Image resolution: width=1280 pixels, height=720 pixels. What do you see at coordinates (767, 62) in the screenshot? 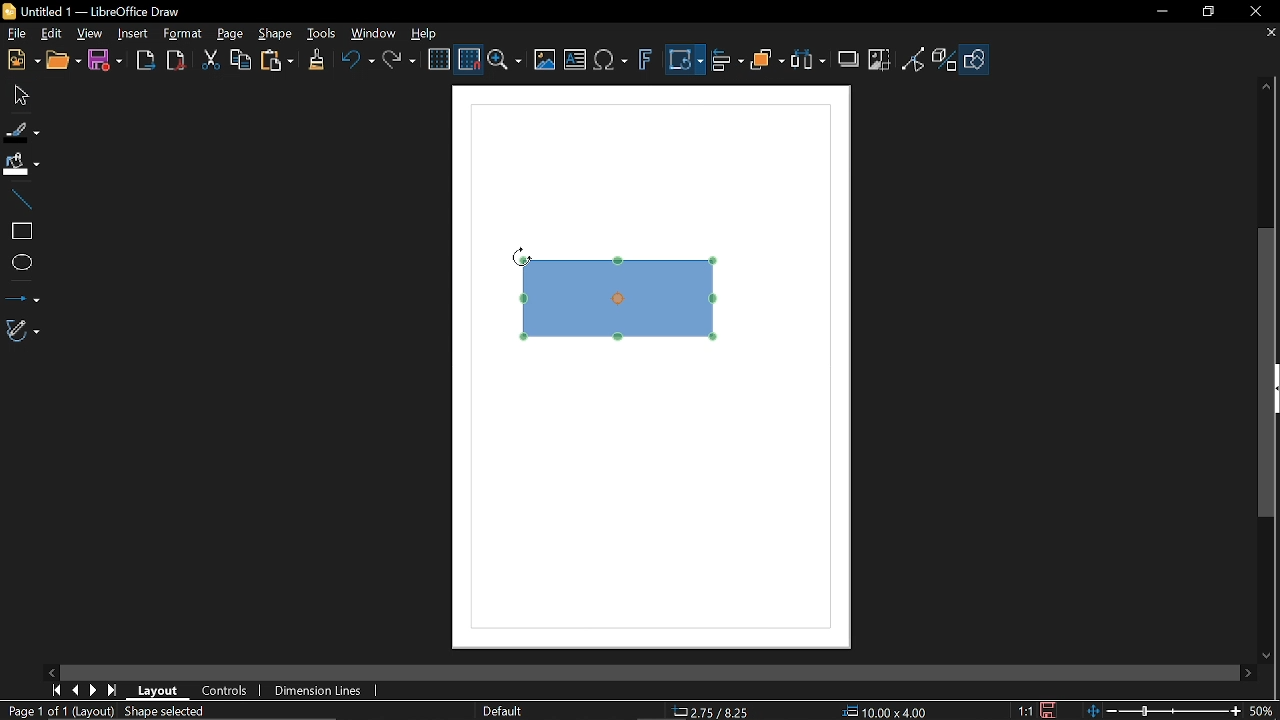
I see `Arrange` at bounding box center [767, 62].